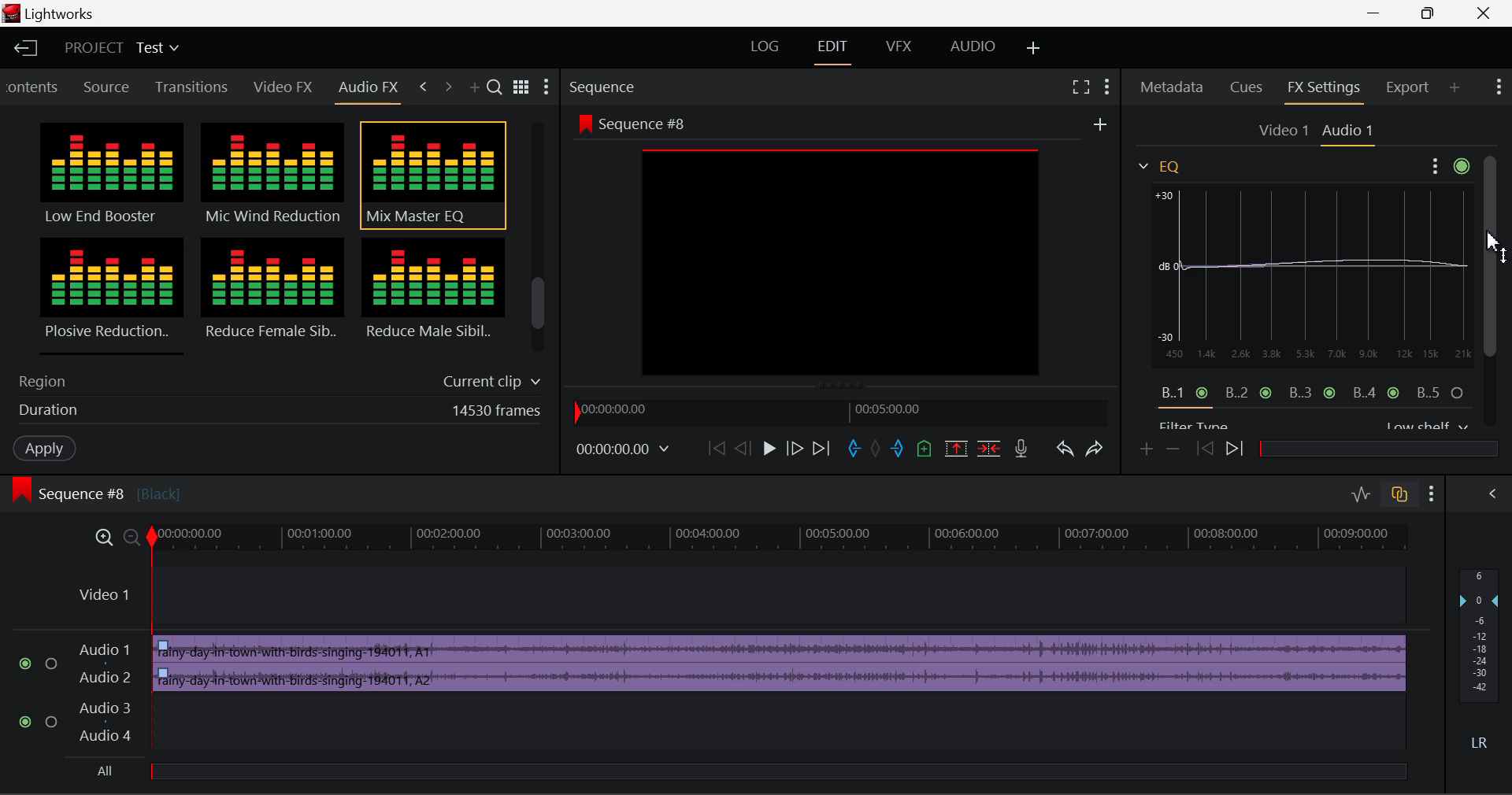 This screenshot has width=1512, height=795. What do you see at coordinates (424, 84) in the screenshot?
I see `Previous Tab` at bounding box center [424, 84].